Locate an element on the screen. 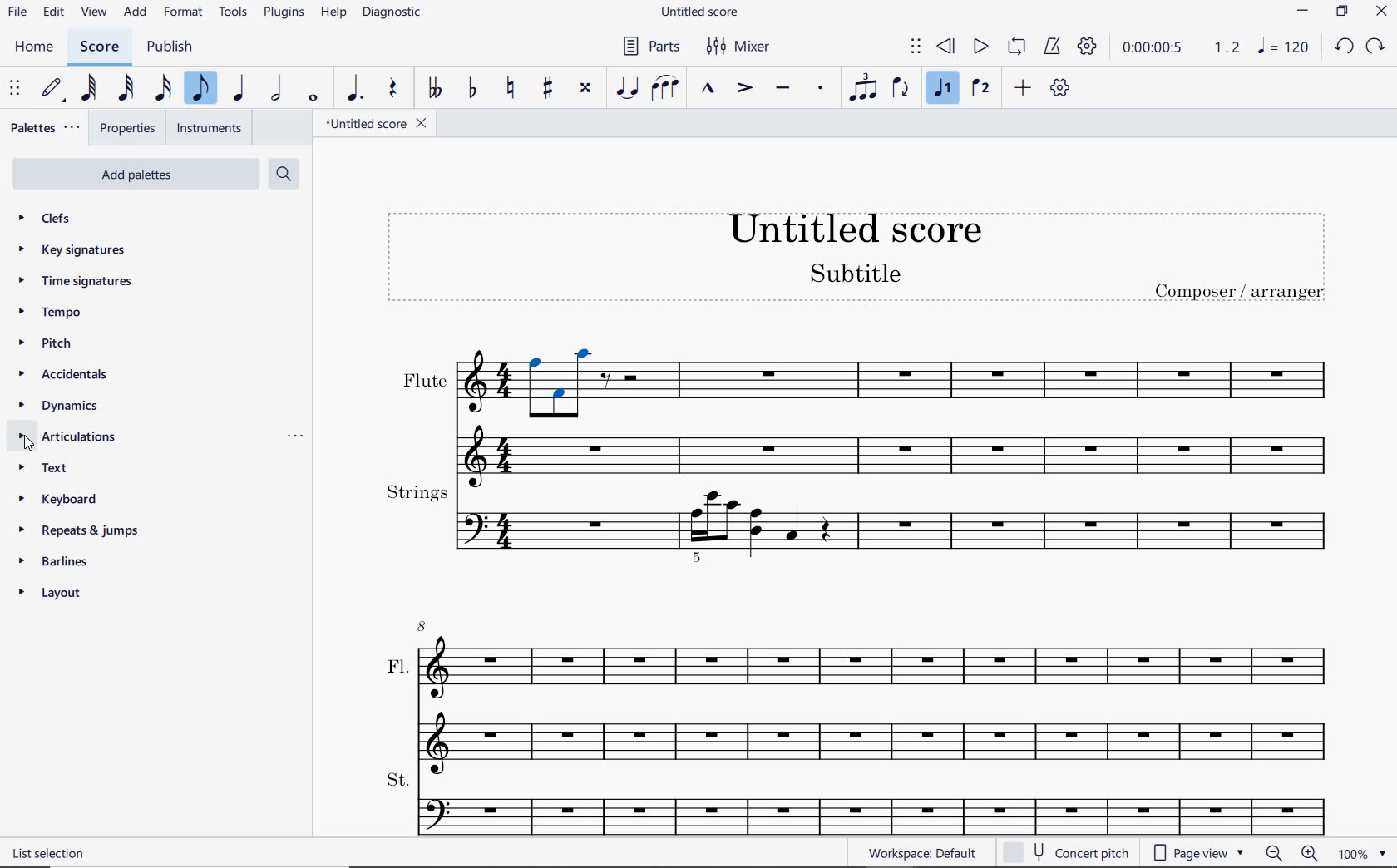  TENUTO is located at coordinates (783, 89).